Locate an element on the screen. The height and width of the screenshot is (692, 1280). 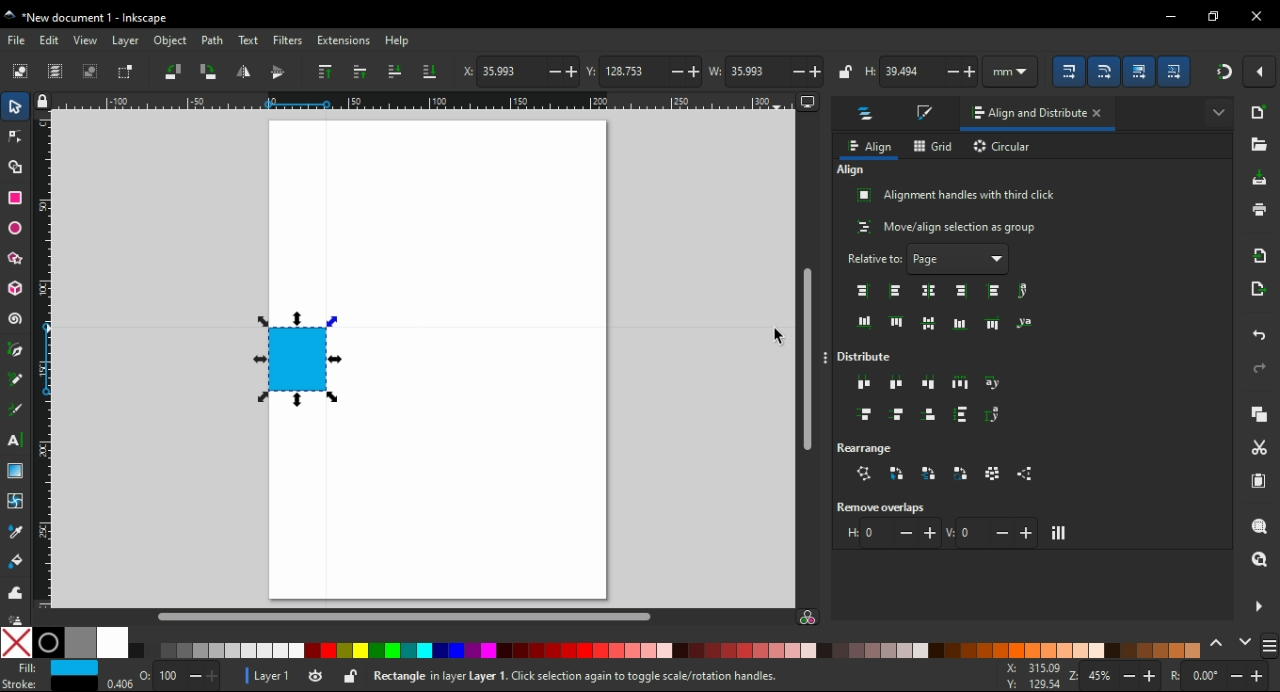
pencil tool is located at coordinates (17, 380).